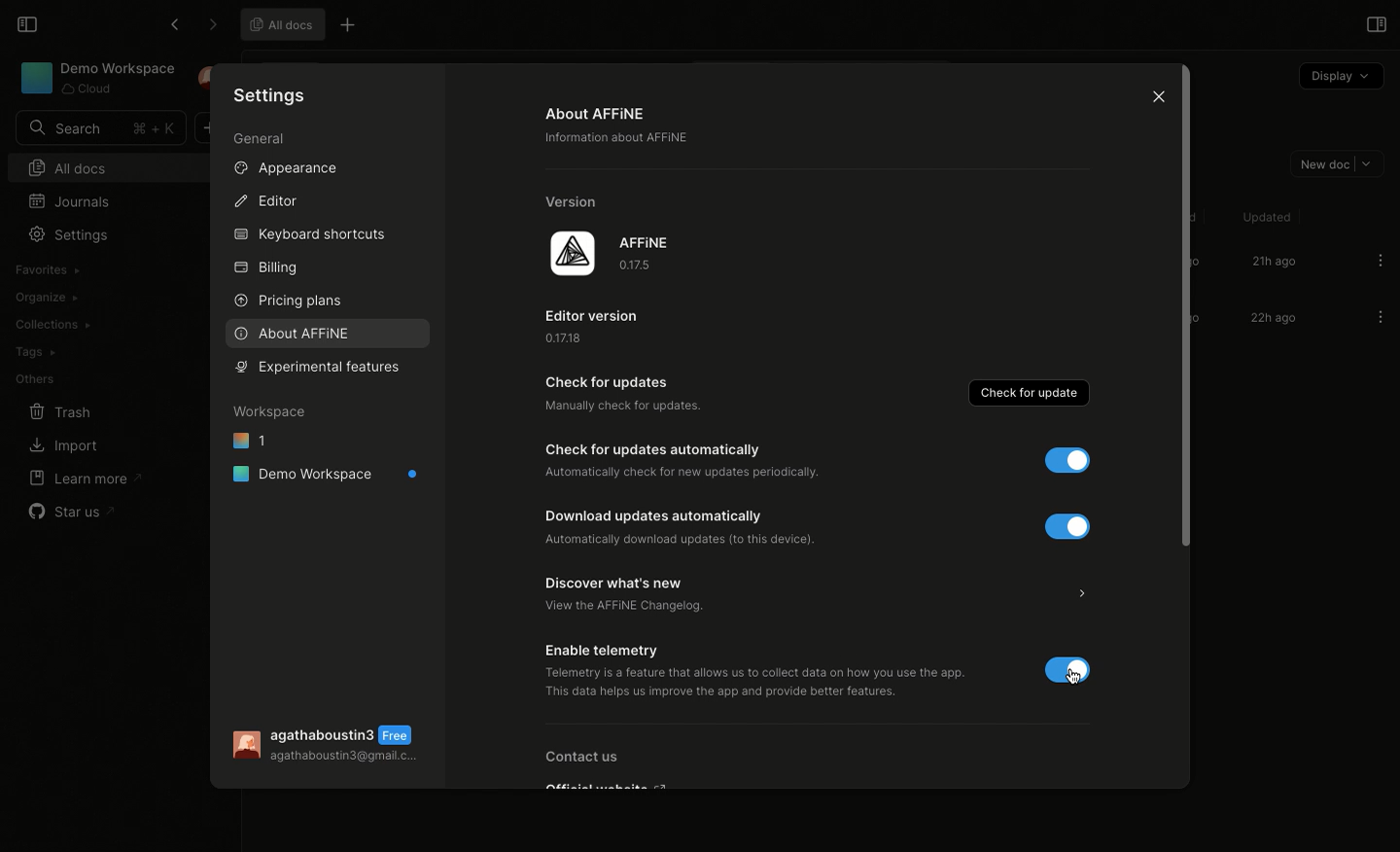 The height and width of the screenshot is (852, 1400). Describe the element at coordinates (174, 24) in the screenshot. I see `Back` at that location.